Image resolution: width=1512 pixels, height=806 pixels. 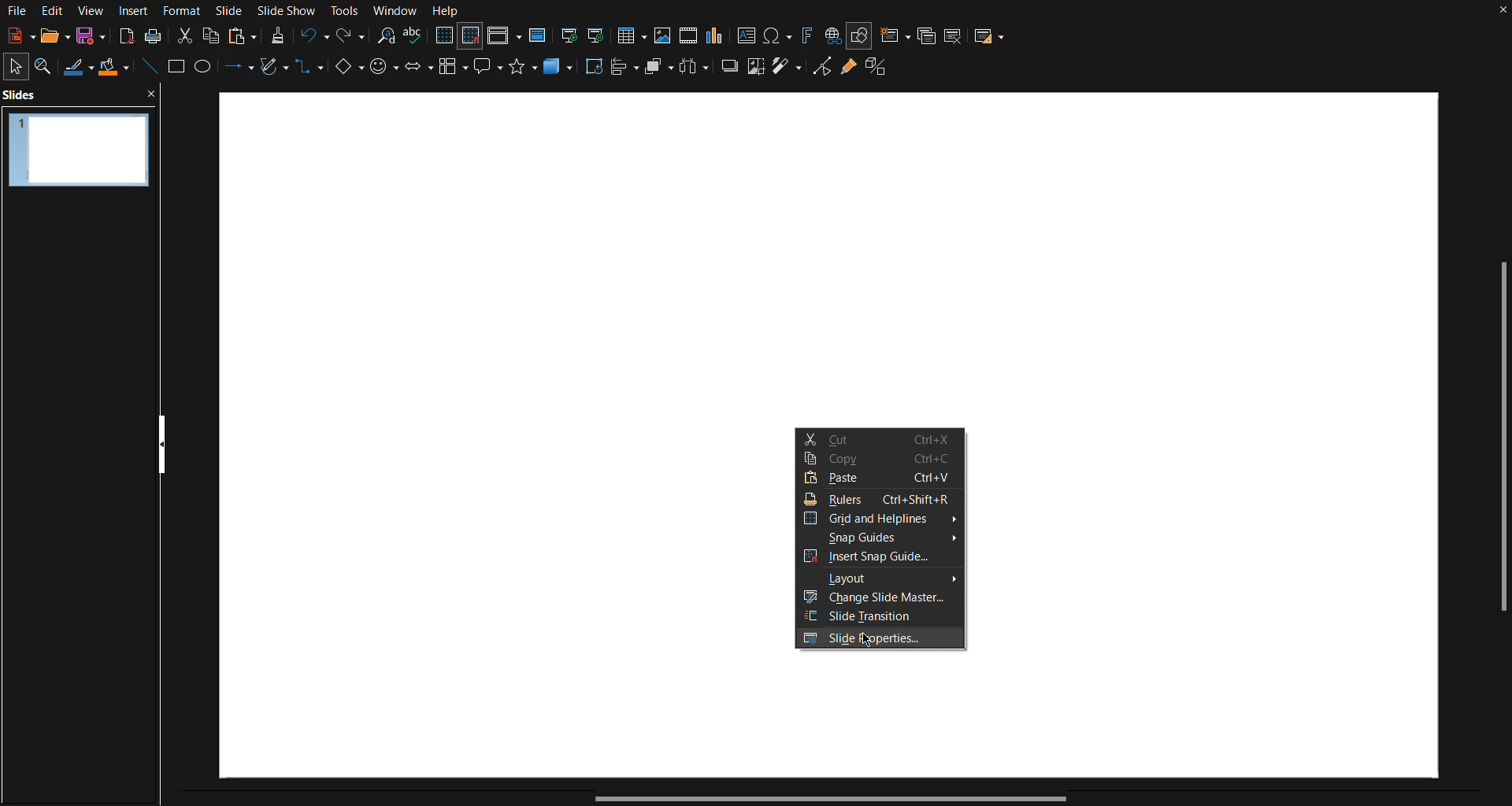 What do you see at coordinates (186, 10) in the screenshot?
I see `Format` at bounding box center [186, 10].